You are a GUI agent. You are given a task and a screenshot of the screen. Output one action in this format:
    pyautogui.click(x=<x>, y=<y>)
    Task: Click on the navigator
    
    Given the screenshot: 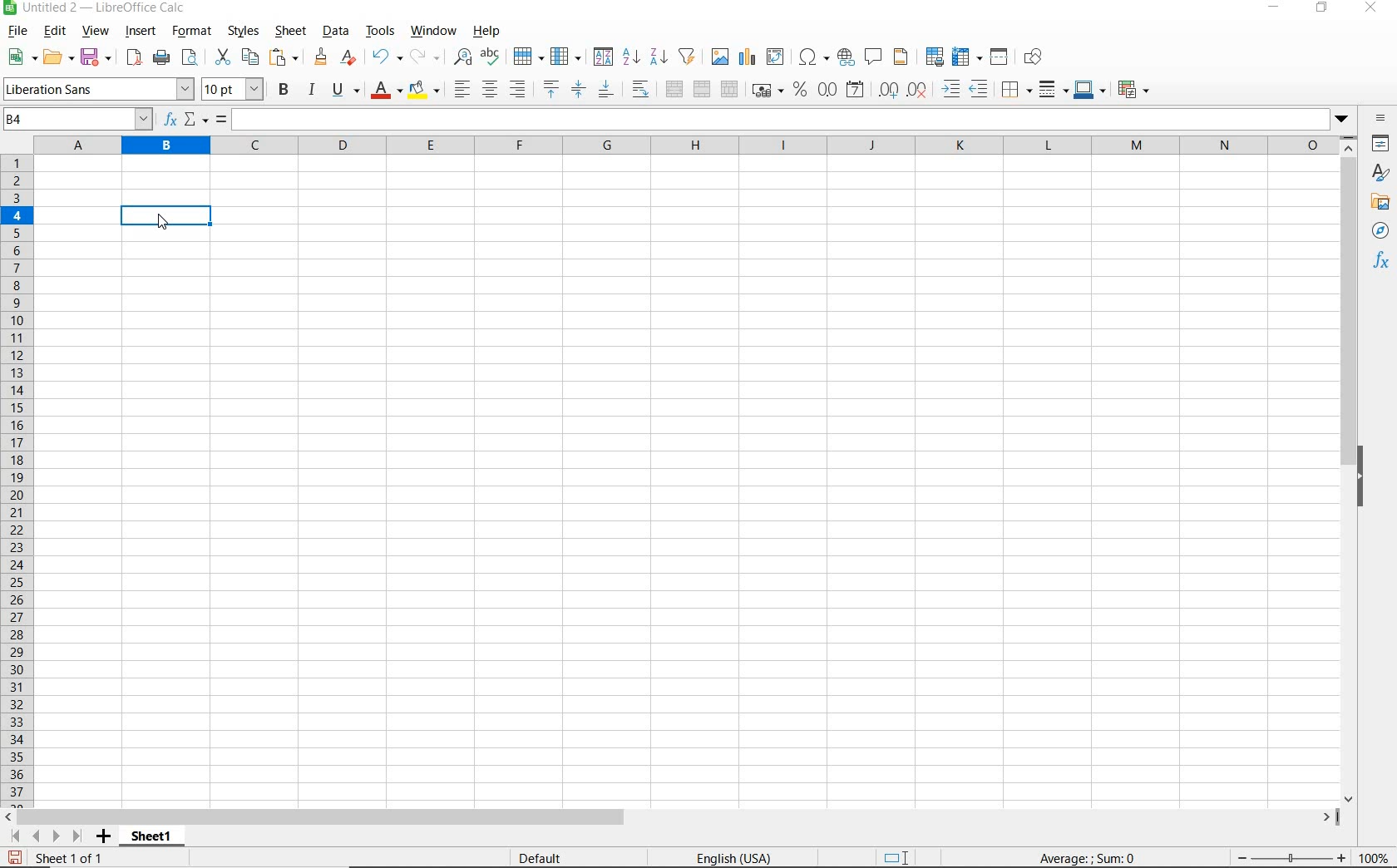 What is the action you would take?
    pyautogui.click(x=1380, y=231)
    